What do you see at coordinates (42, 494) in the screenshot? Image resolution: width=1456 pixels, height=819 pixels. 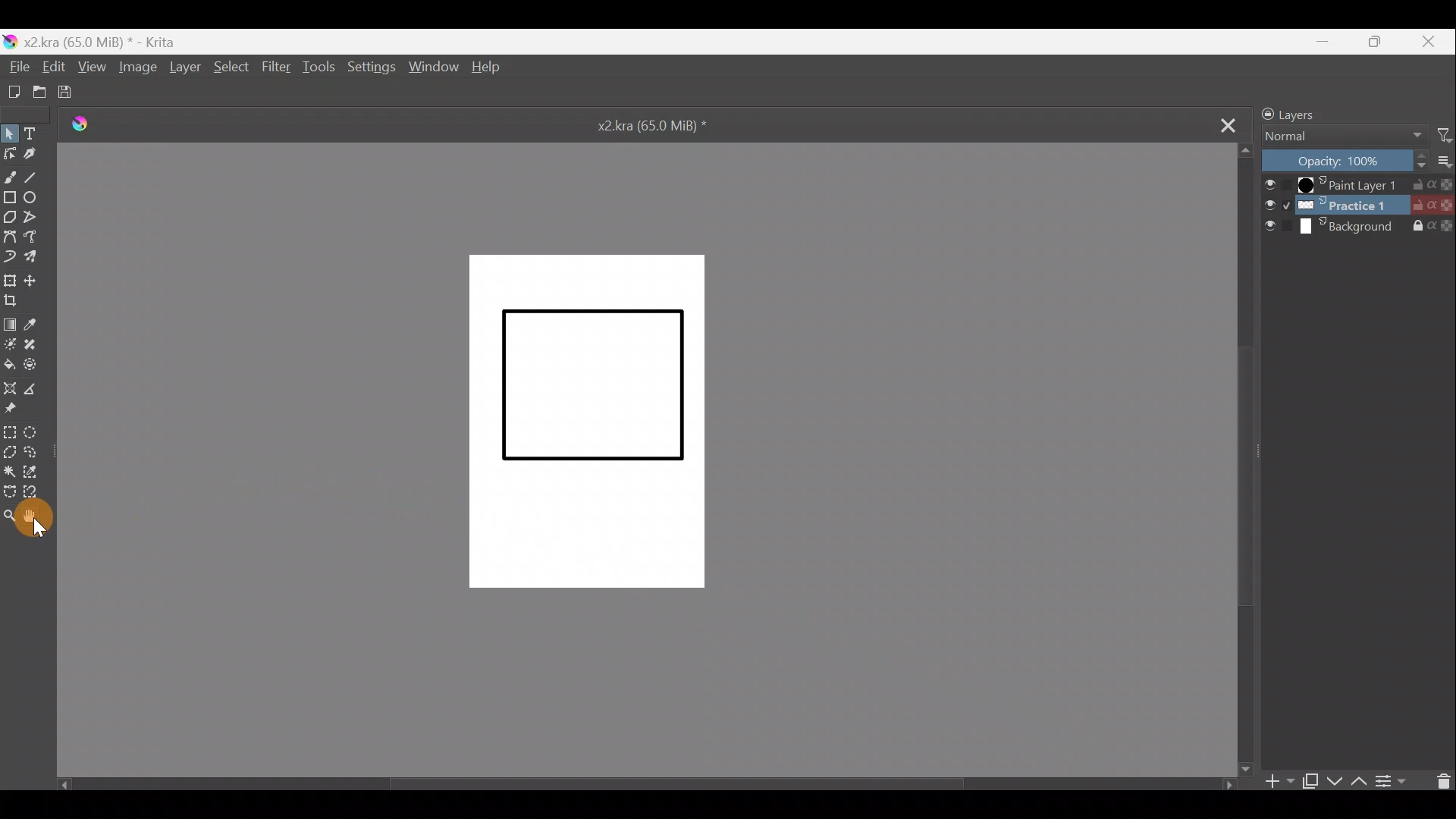 I see `Magnetic curve selection tool` at bounding box center [42, 494].